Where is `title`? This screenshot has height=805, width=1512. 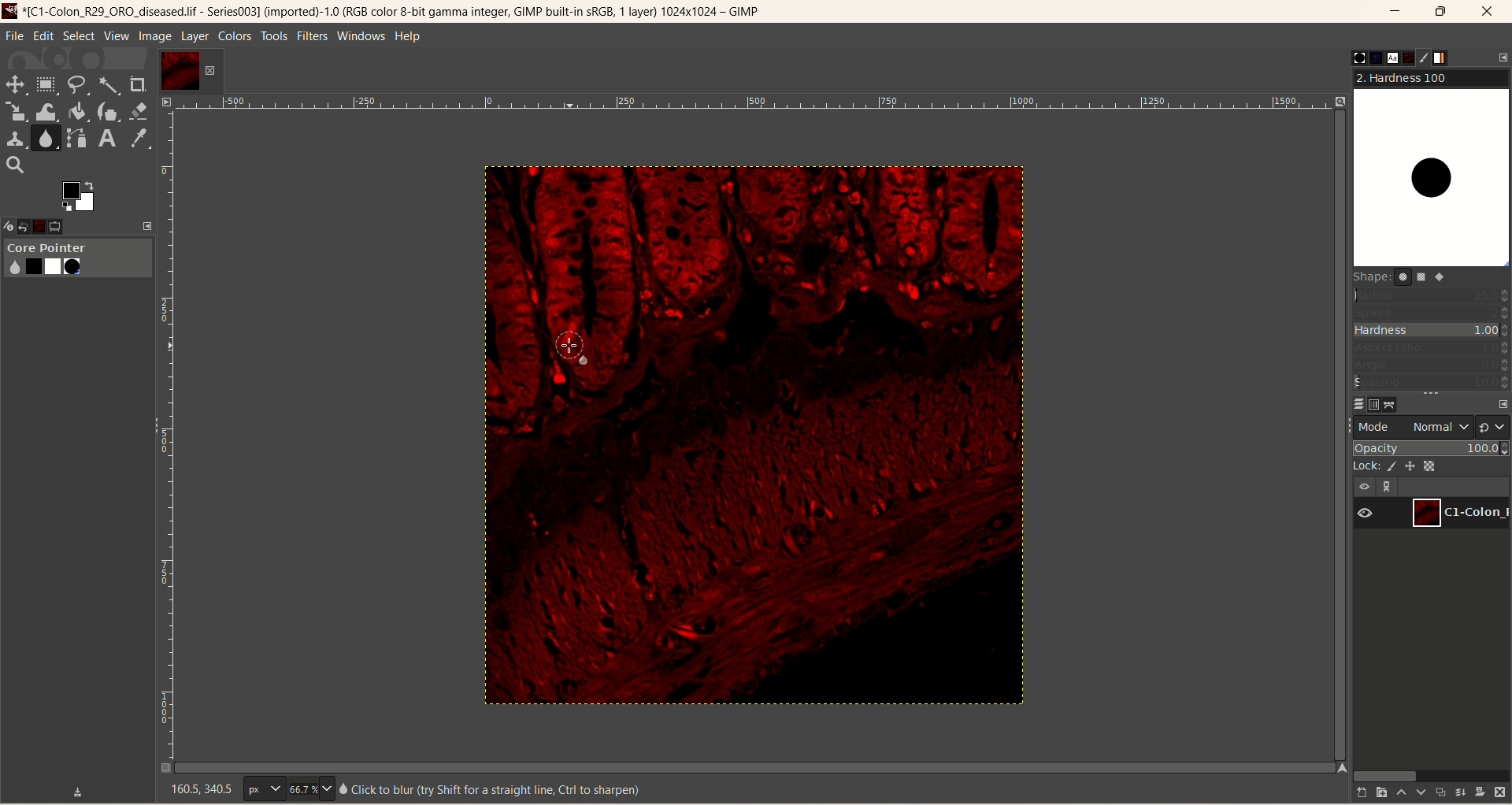
title is located at coordinates (400, 13).